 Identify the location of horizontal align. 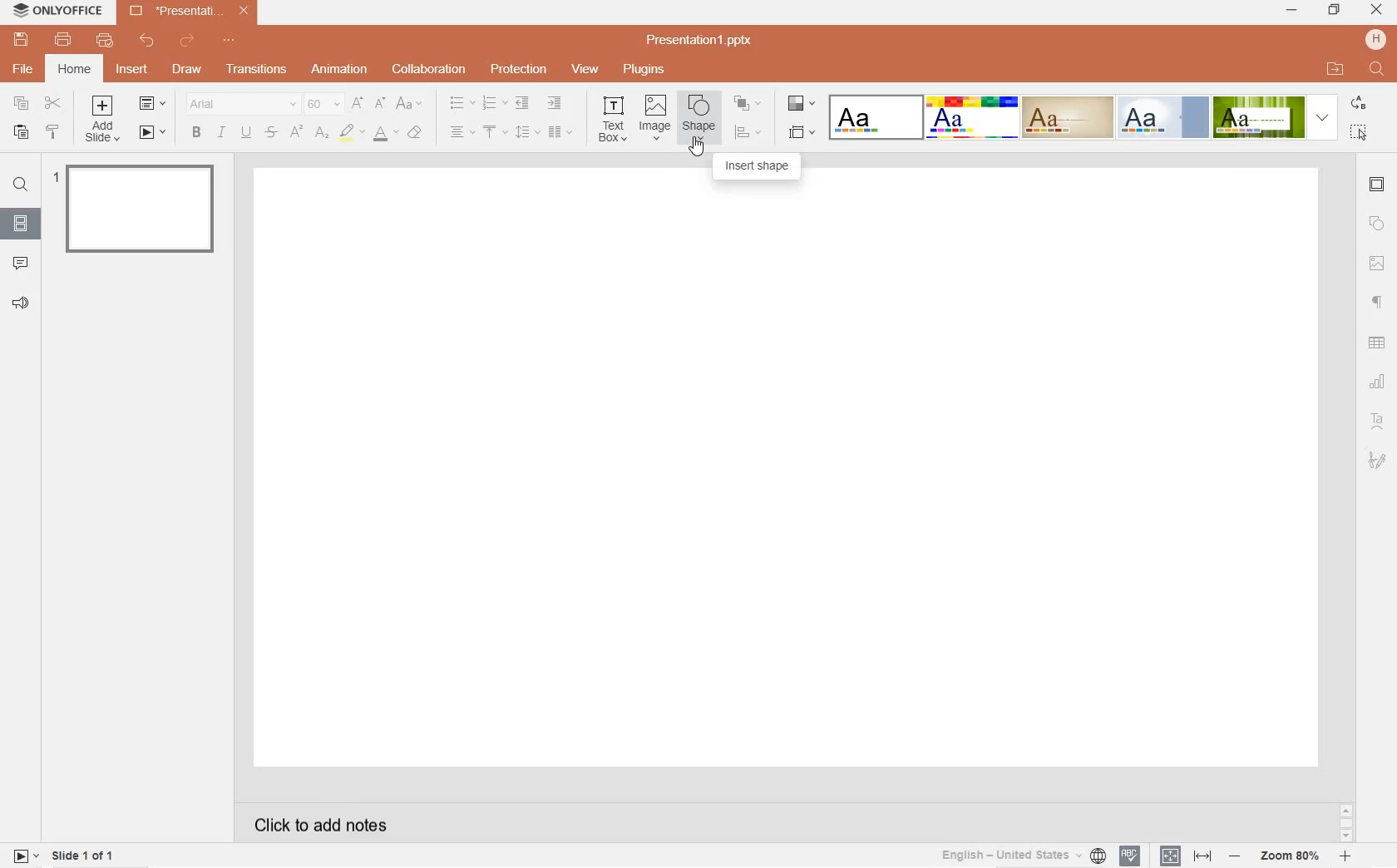
(462, 133).